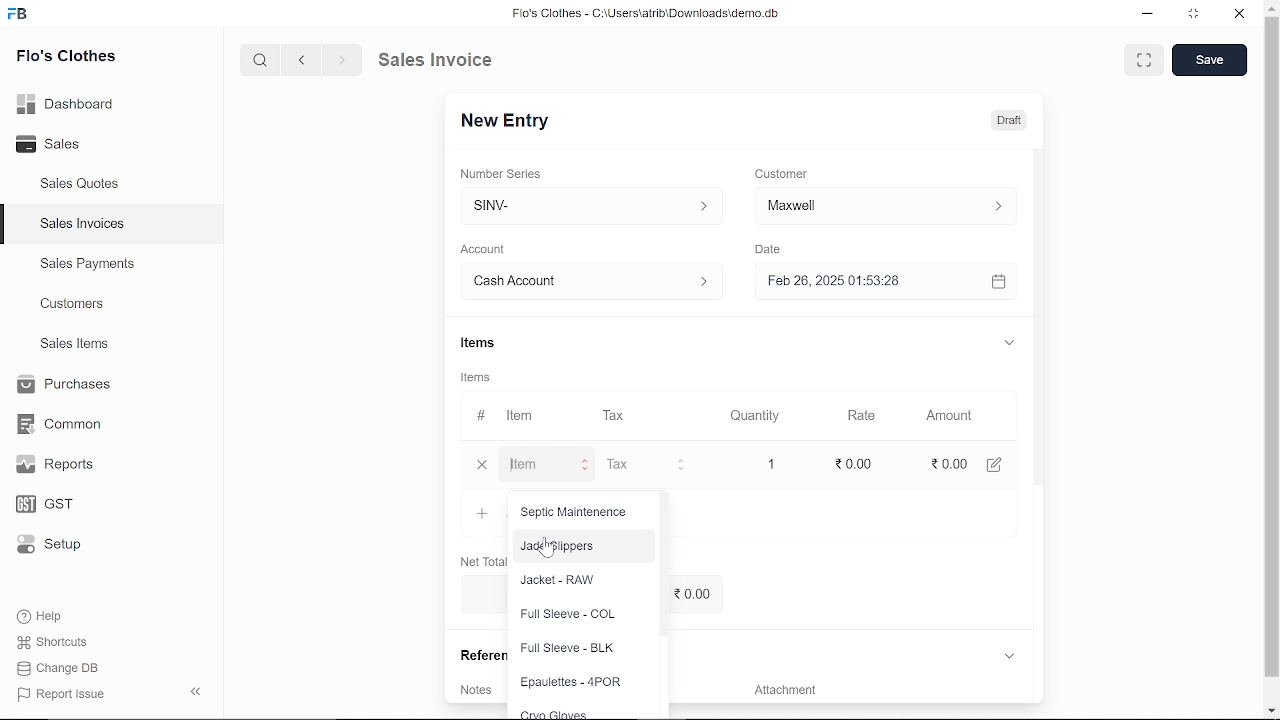 This screenshot has height=720, width=1280. What do you see at coordinates (262, 59) in the screenshot?
I see `search` at bounding box center [262, 59].